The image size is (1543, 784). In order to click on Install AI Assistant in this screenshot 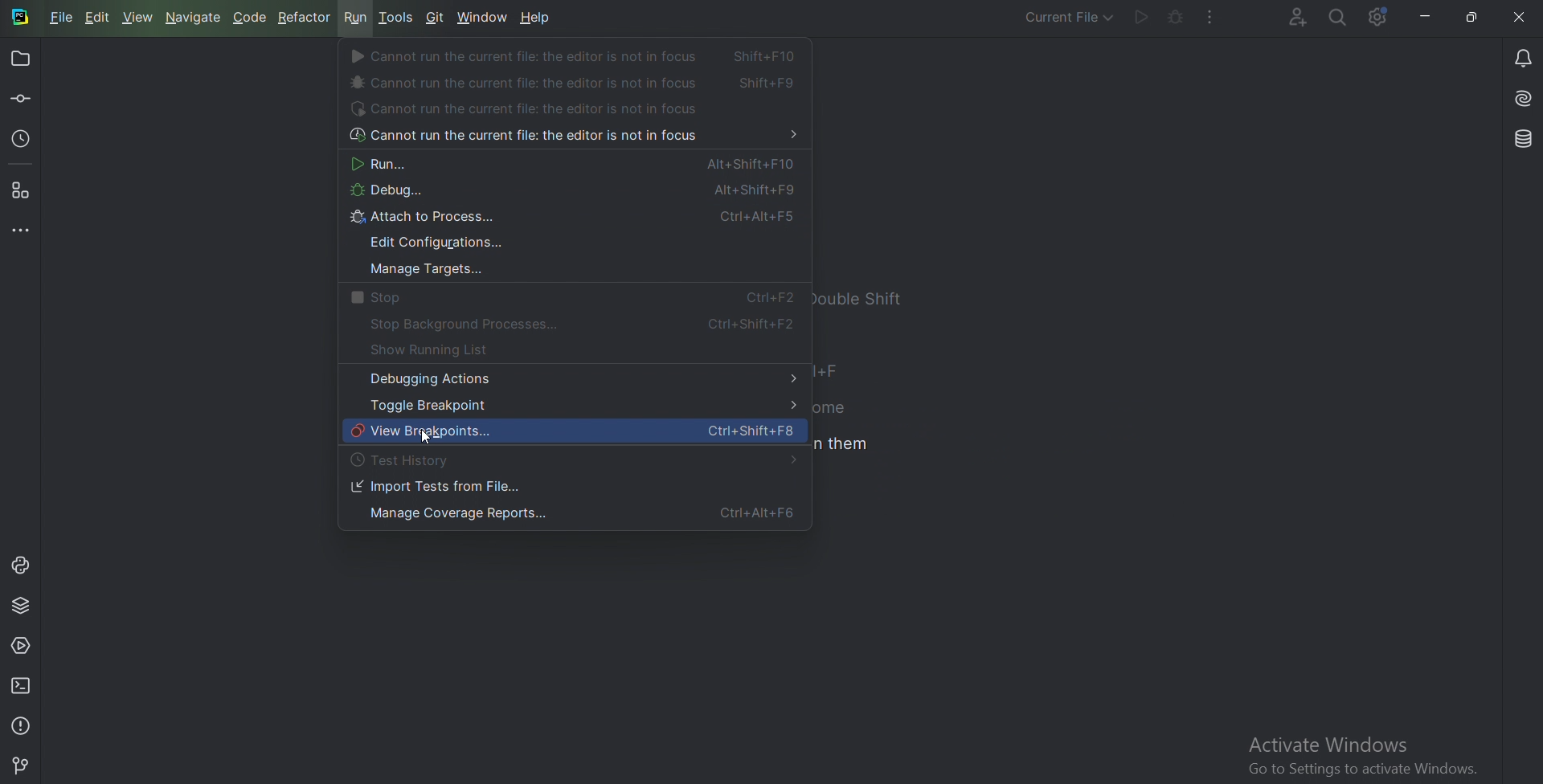, I will do `click(1521, 99)`.